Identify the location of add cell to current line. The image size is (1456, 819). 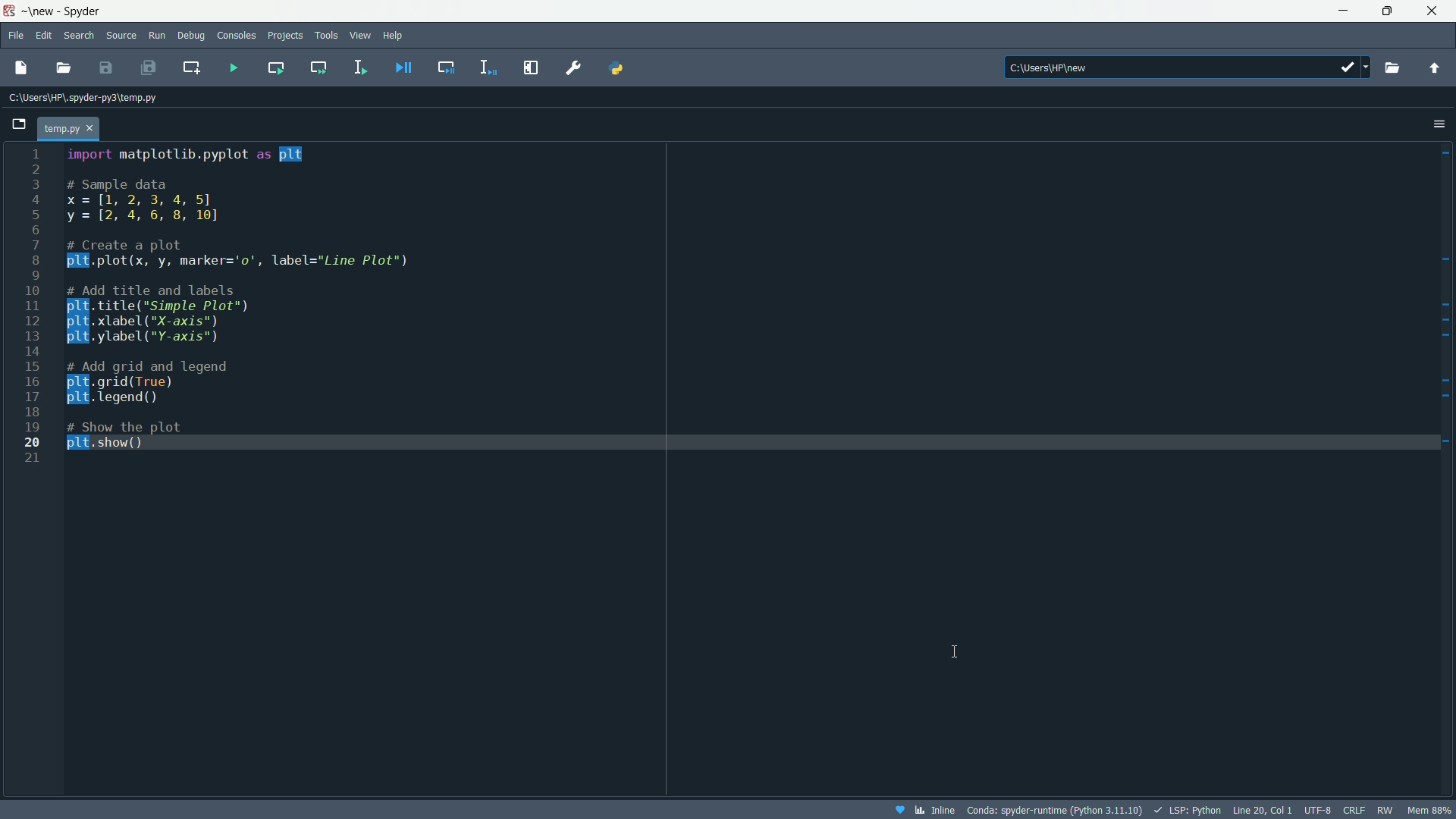
(190, 67).